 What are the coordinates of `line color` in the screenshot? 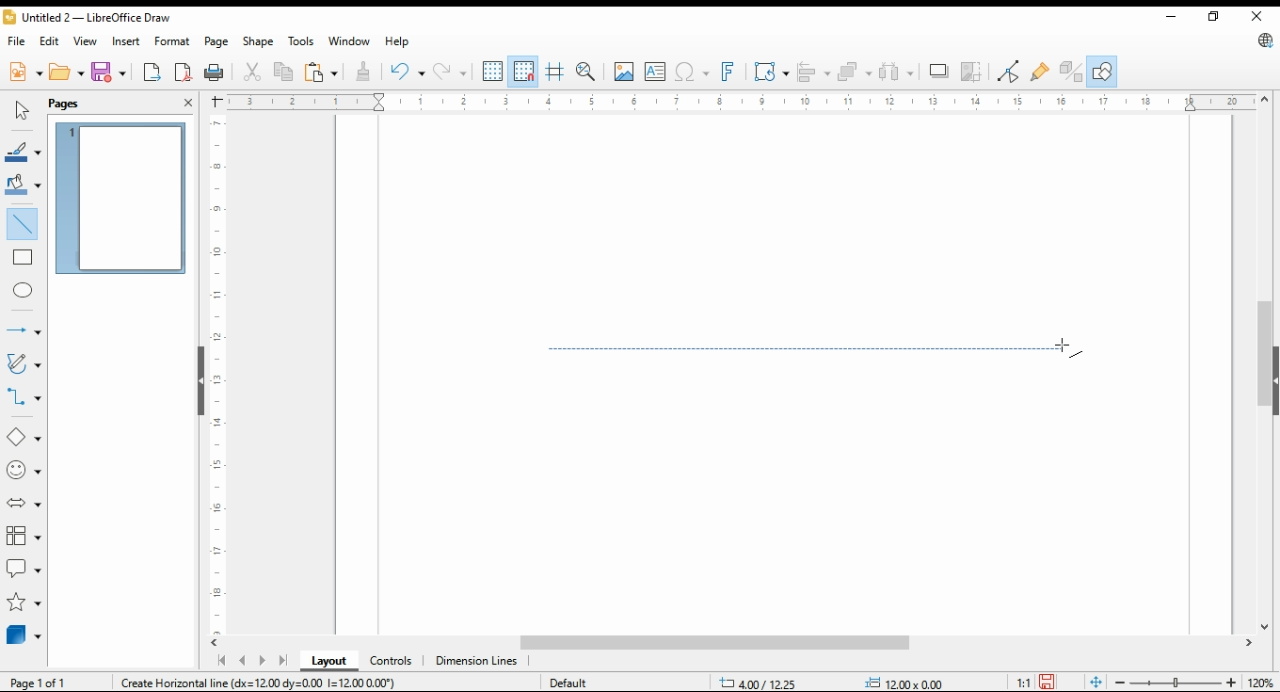 It's located at (23, 150).